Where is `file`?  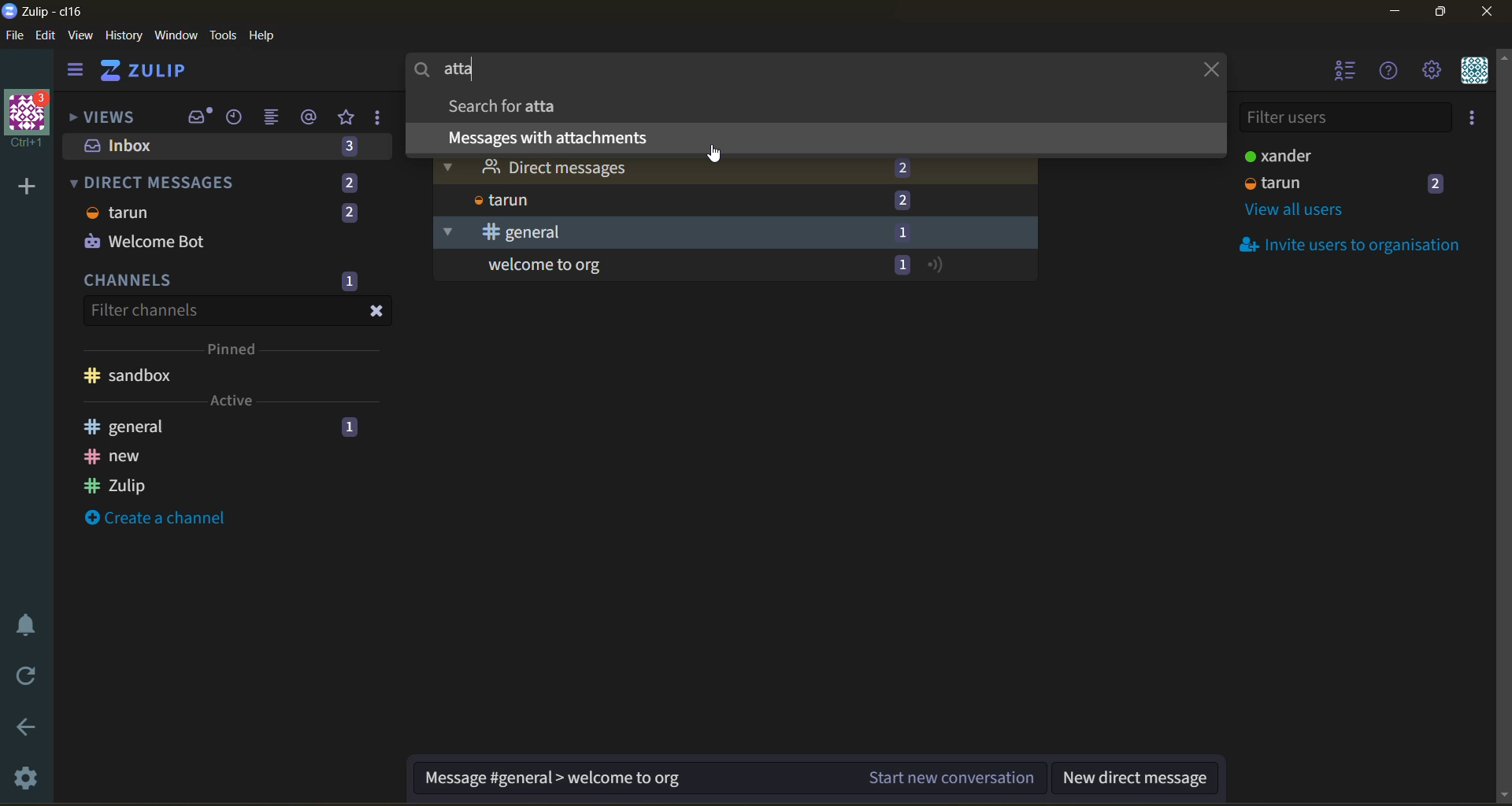
file is located at coordinates (15, 36).